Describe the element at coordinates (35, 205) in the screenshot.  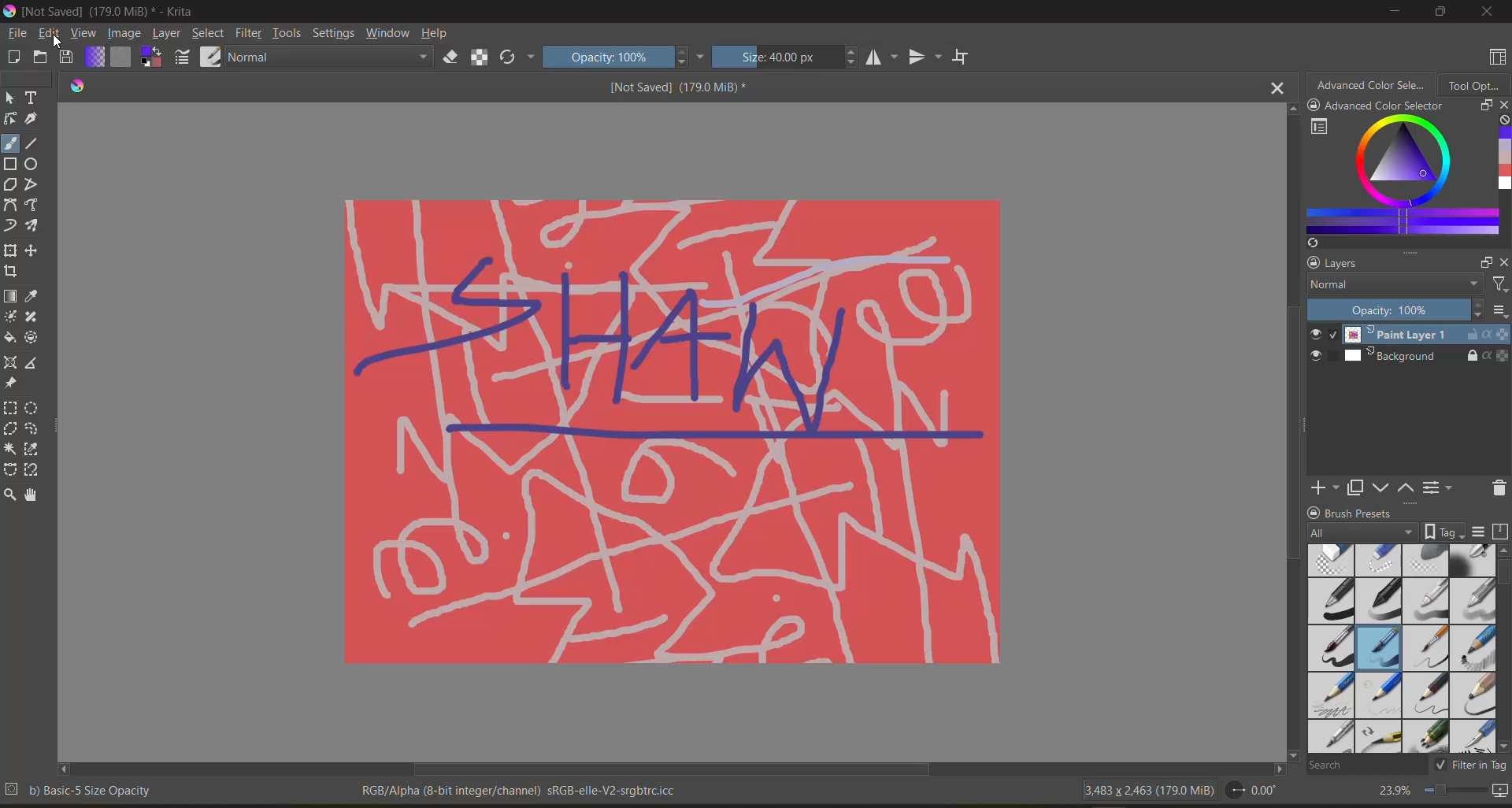
I see `free hand path tool` at that location.